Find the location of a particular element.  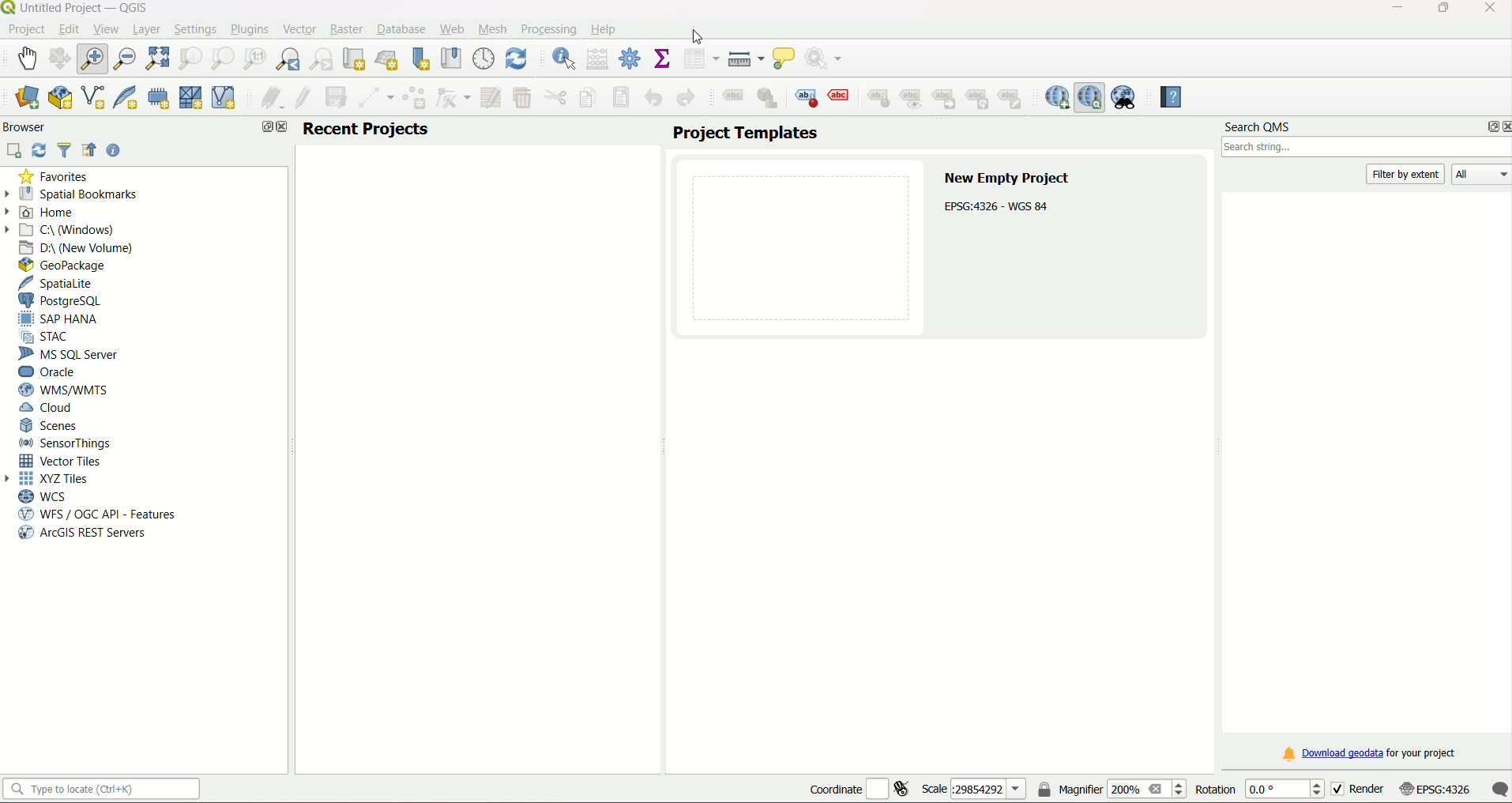

D:\ (New volume) is located at coordinates (79, 247).